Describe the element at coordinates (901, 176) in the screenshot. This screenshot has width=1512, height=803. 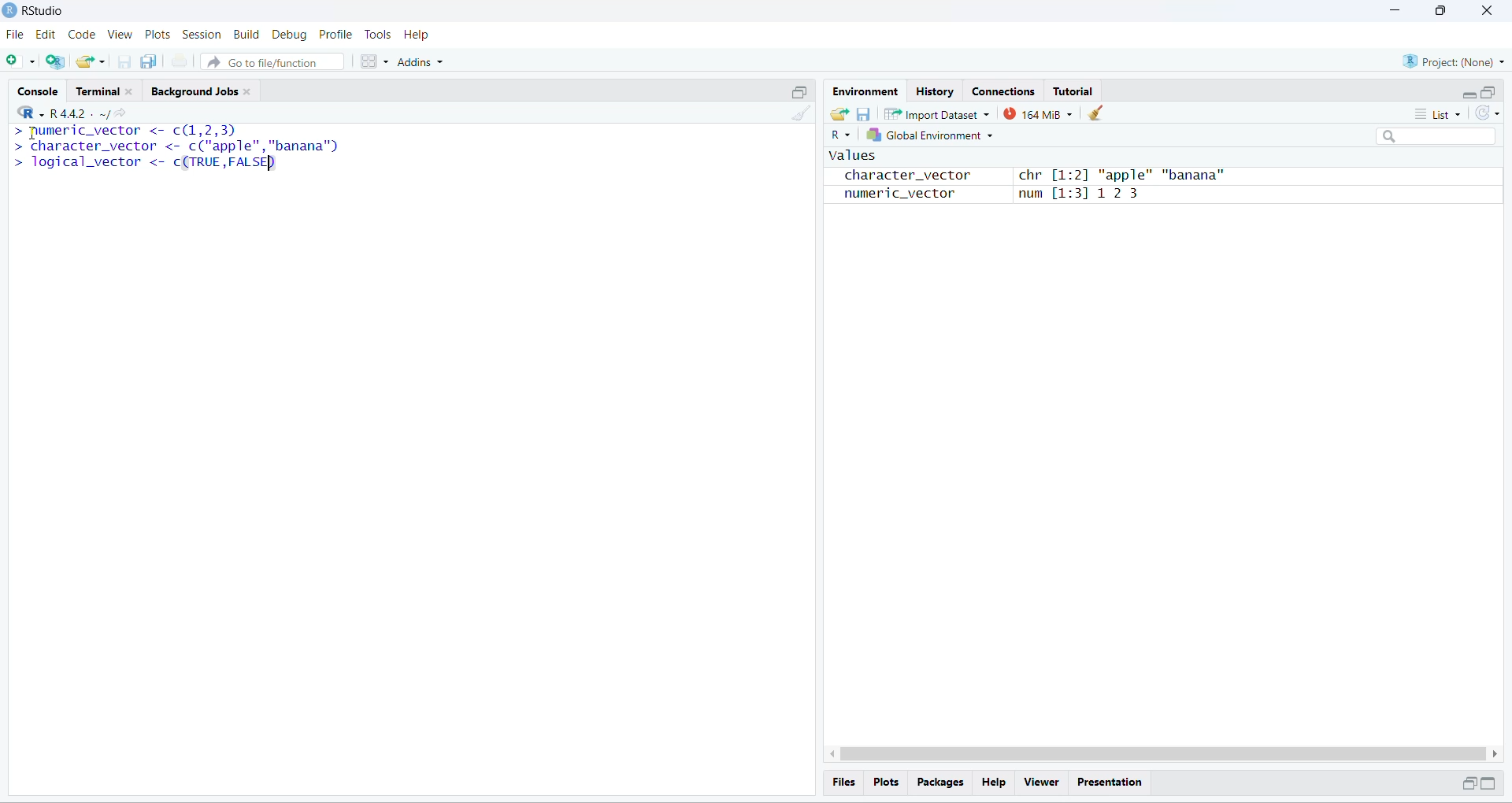
I see `character_vector` at that location.